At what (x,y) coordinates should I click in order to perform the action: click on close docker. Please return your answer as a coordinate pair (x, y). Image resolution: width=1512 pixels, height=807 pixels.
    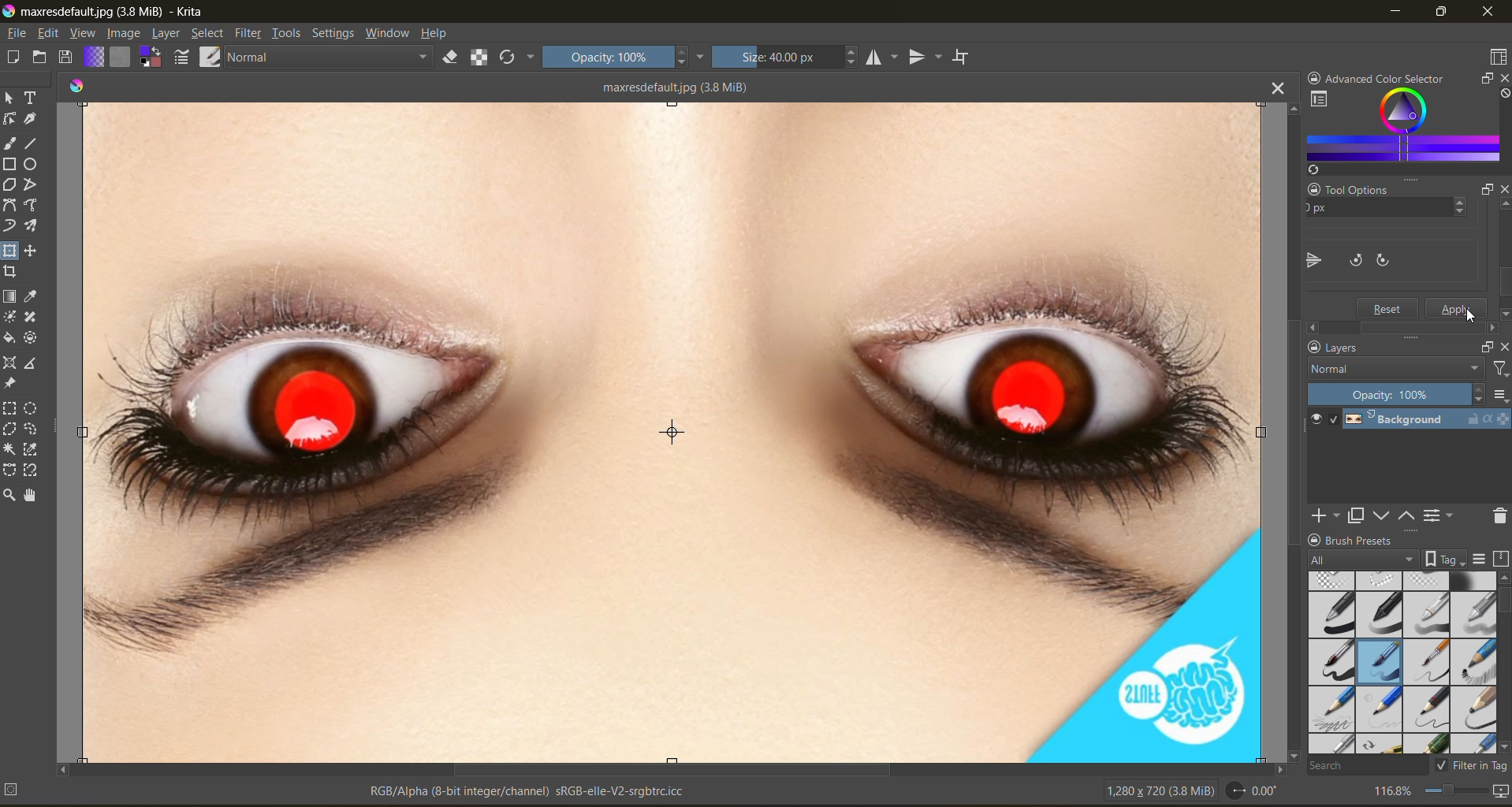
    Looking at the image, I should click on (1503, 80).